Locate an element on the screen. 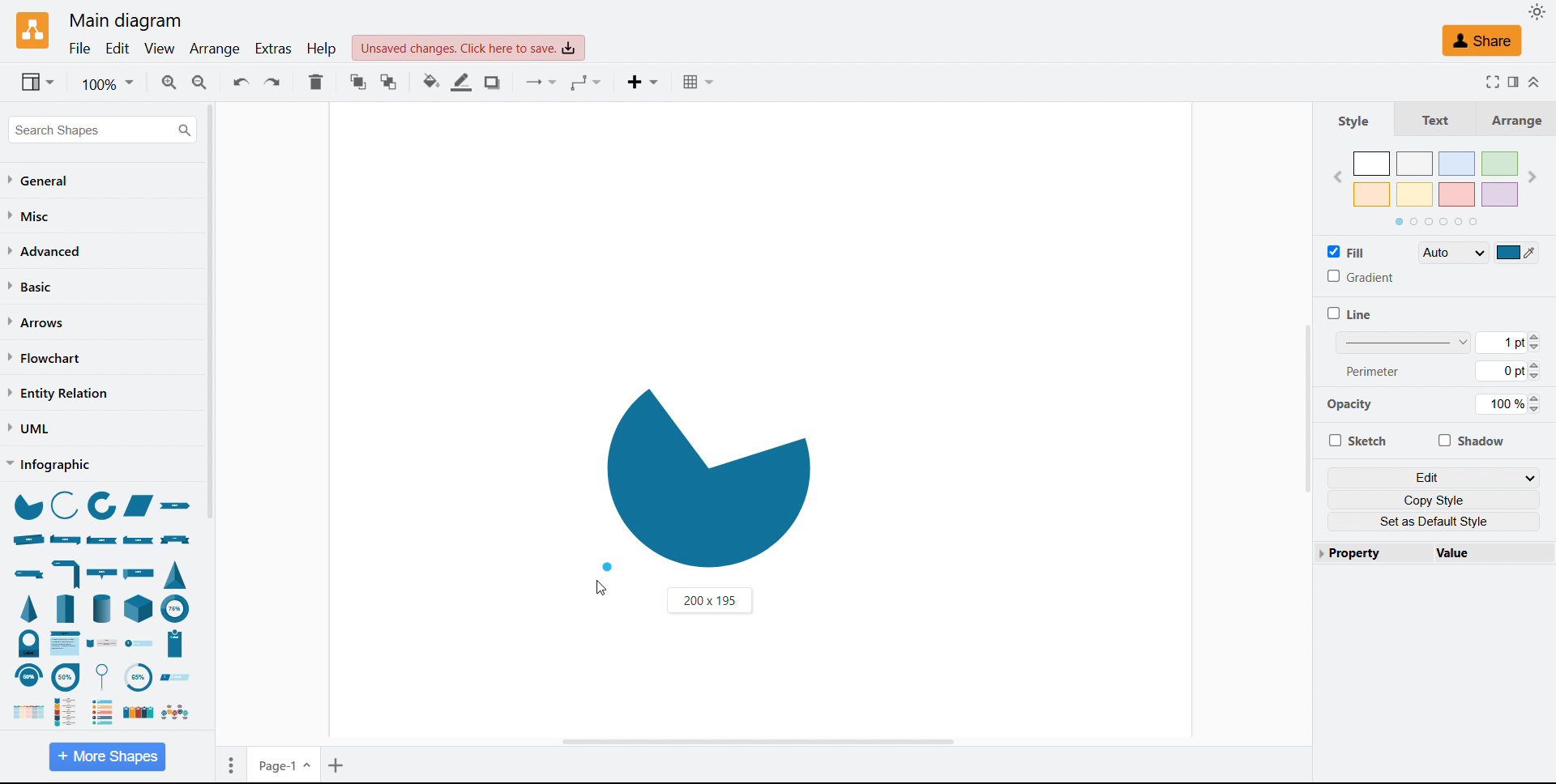  ribbon is located at coordinates (179, 508).